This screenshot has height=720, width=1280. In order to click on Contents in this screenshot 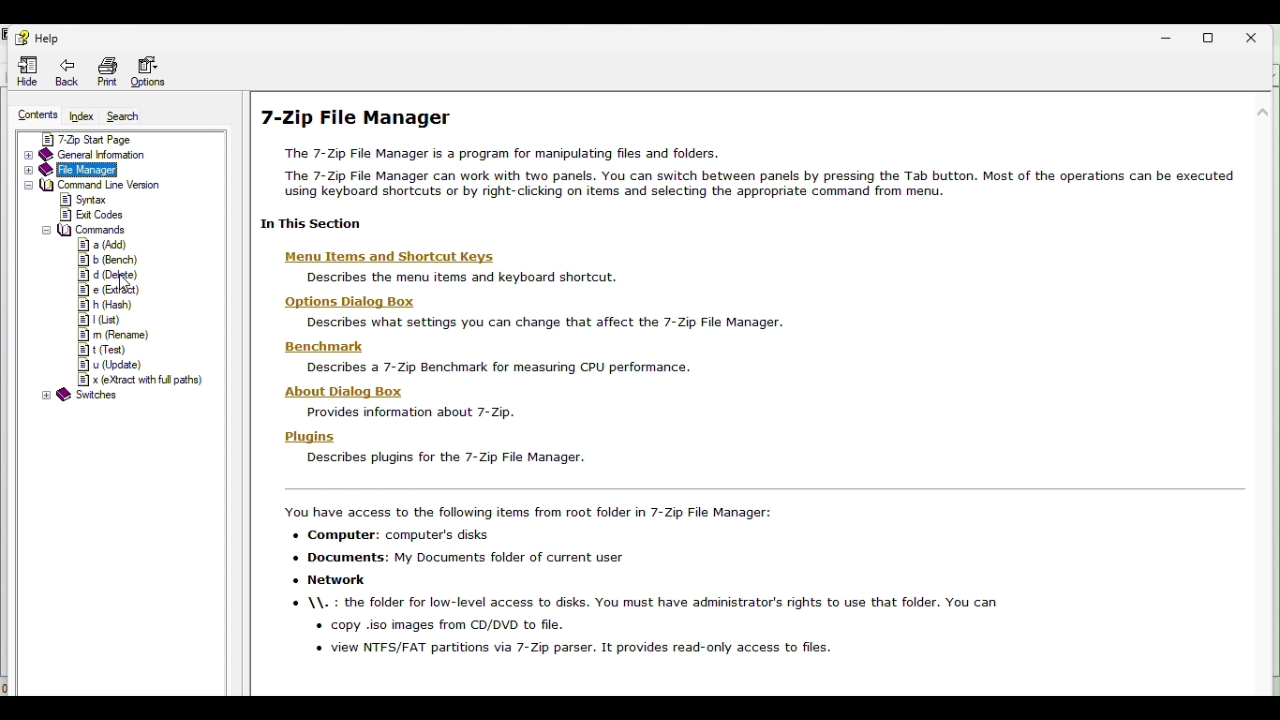, I will do `click(36, 114)`.